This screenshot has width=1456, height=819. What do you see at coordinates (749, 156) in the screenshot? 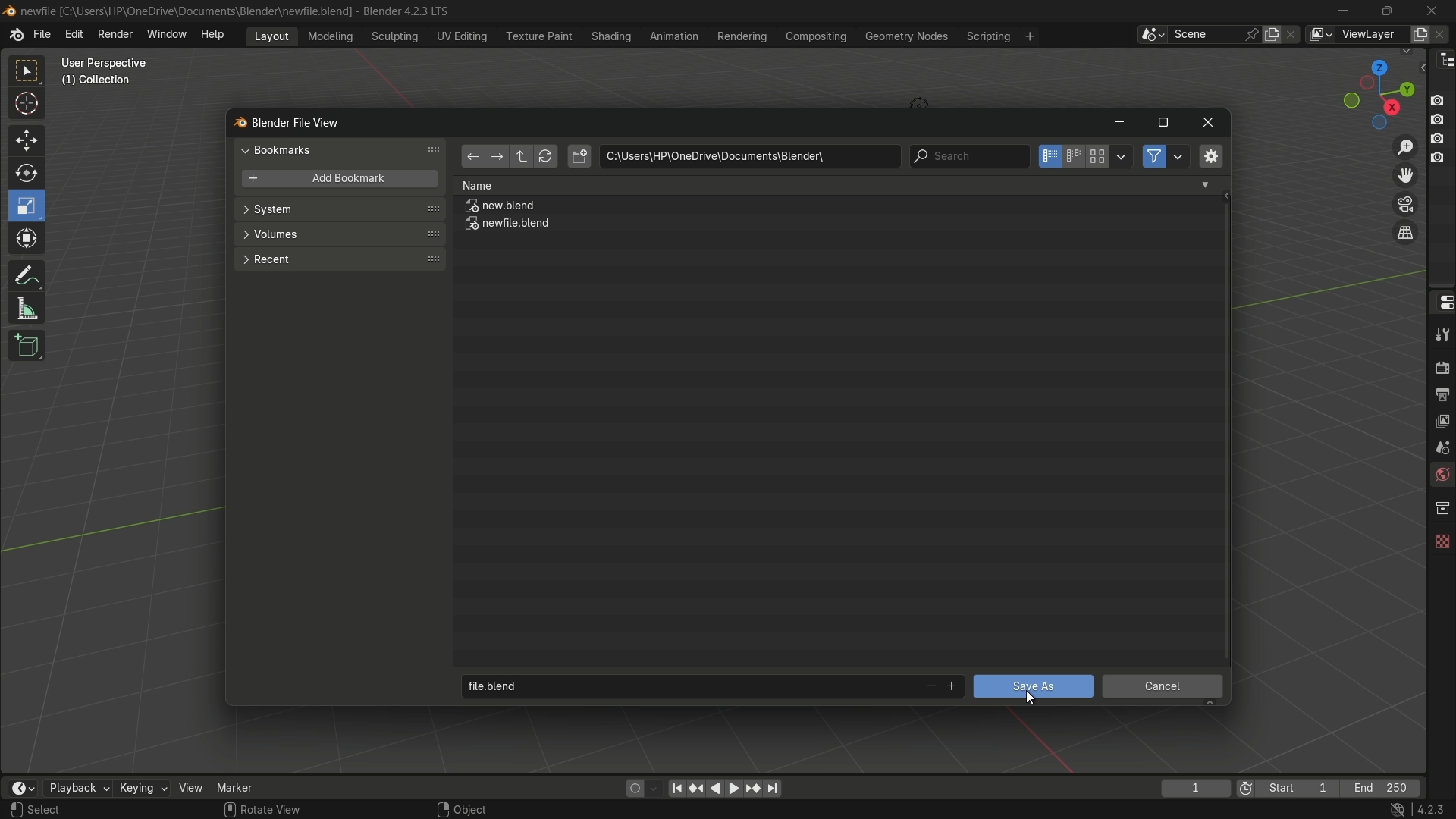
I see `location` at bounding box center [749, 156].